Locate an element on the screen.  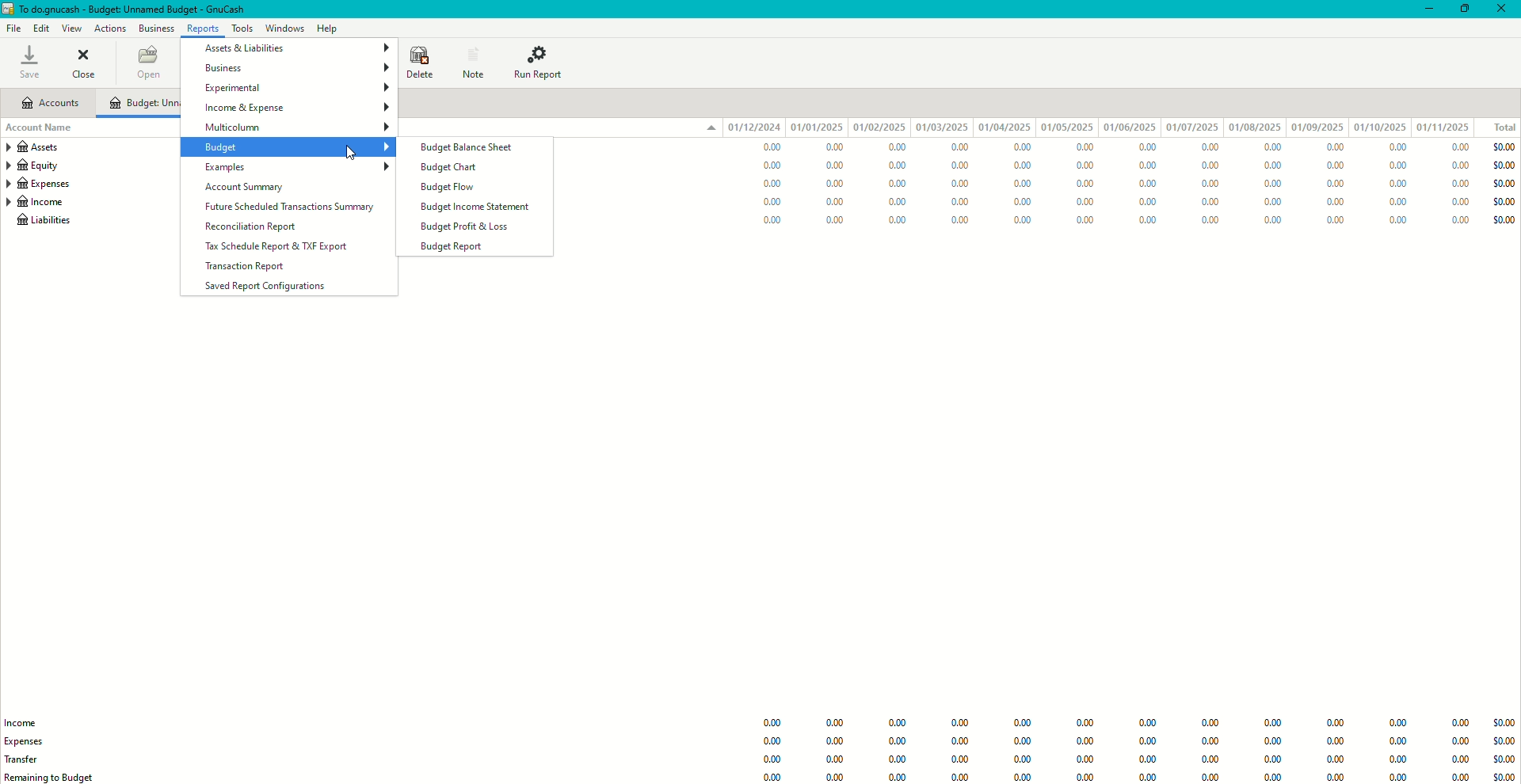
0.00 is located at coordinates (1396, 147).